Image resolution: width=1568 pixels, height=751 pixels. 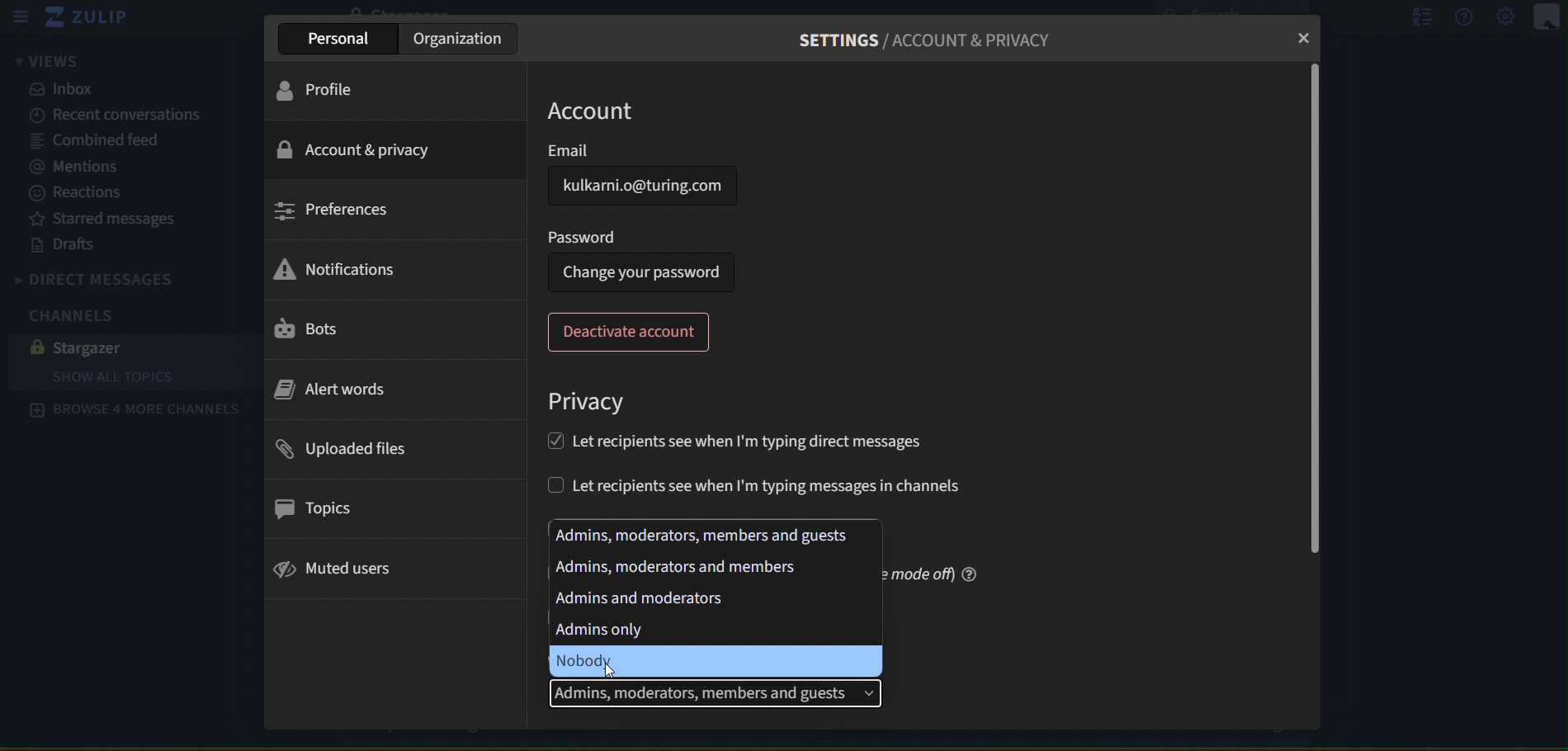 I want to click on password, so click(x=583, y=235).